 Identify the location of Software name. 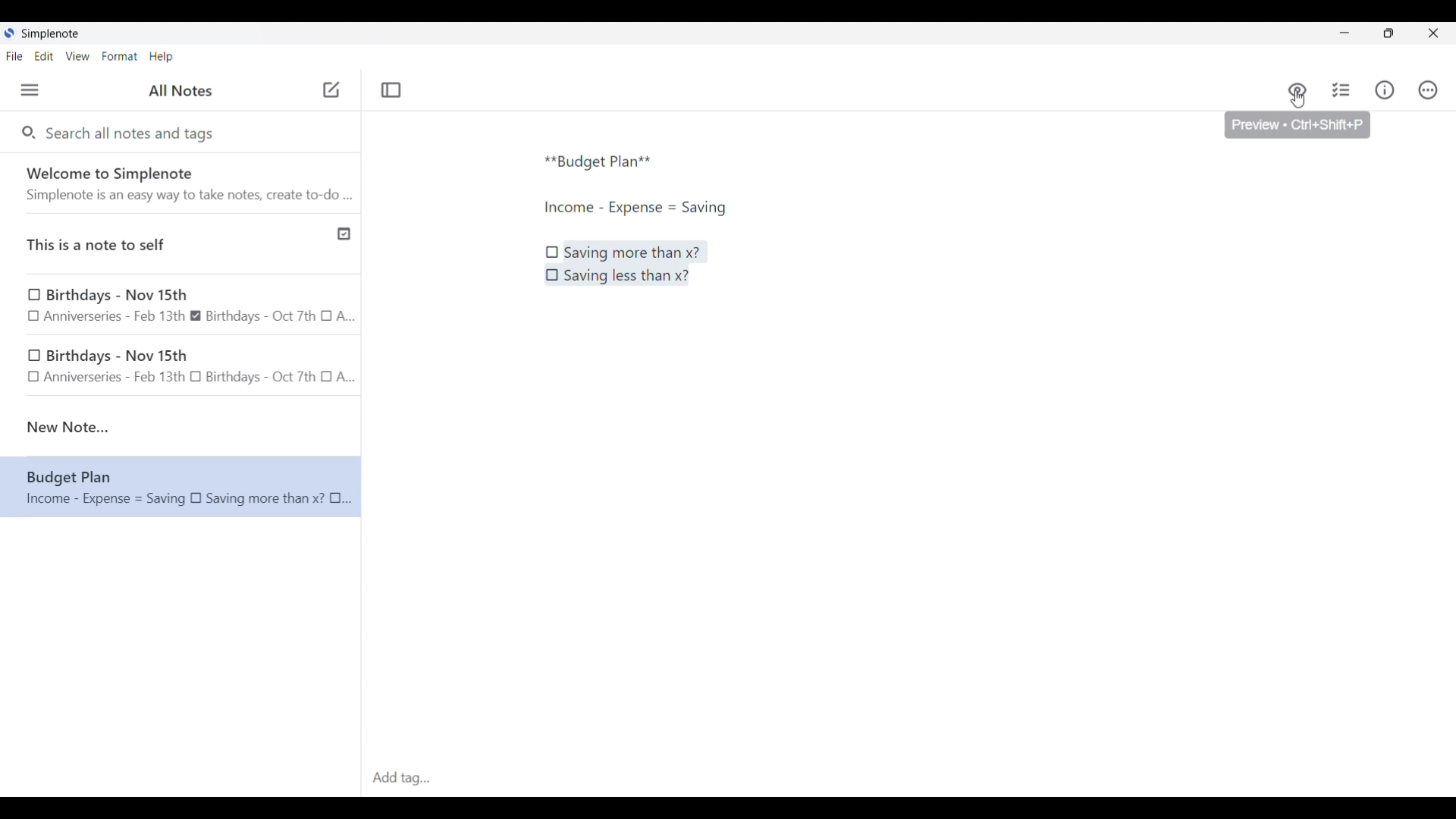
(52, 34).